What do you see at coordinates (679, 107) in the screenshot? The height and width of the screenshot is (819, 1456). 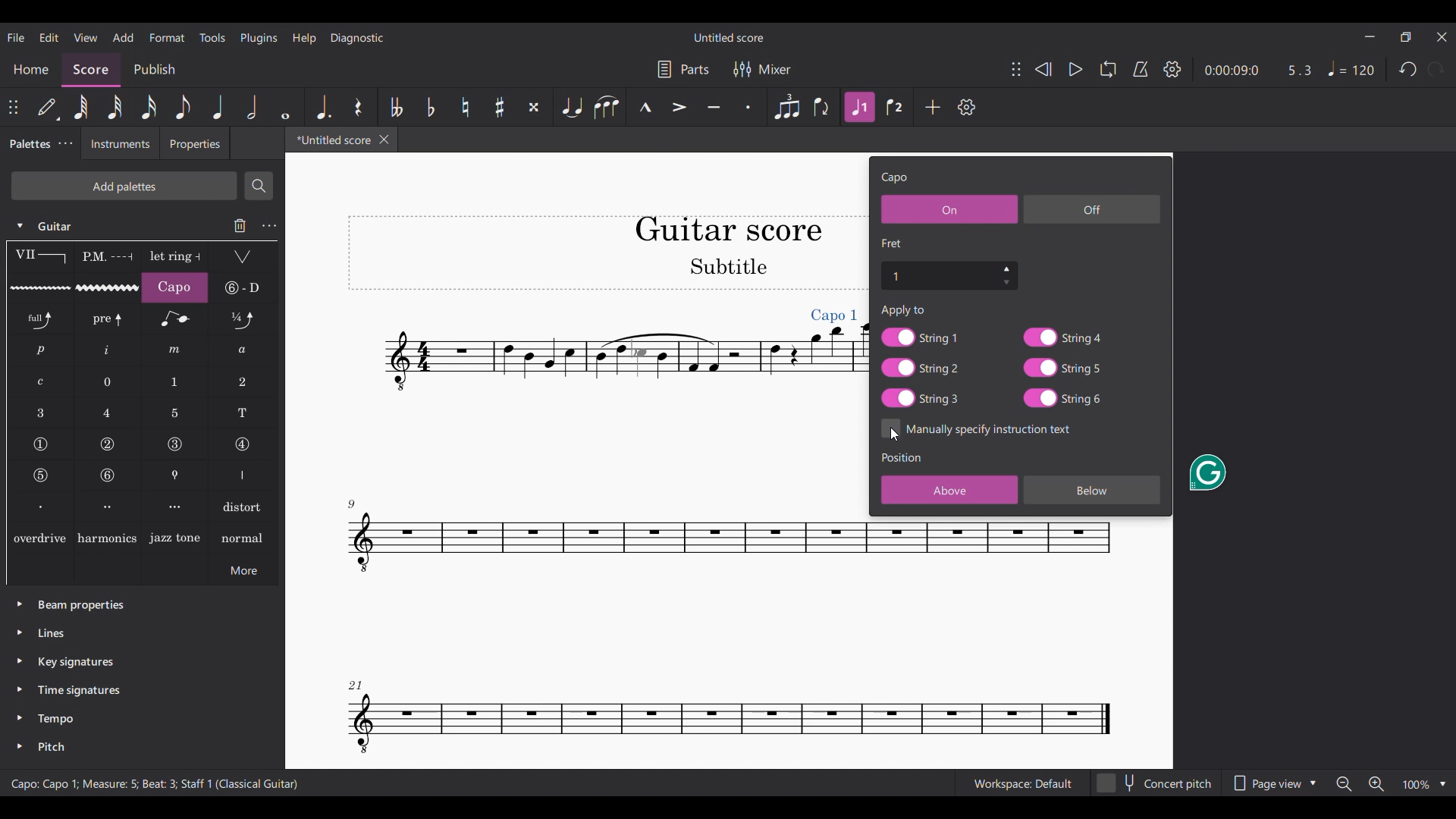 I see `Accent` at bounding box center [679, 107].